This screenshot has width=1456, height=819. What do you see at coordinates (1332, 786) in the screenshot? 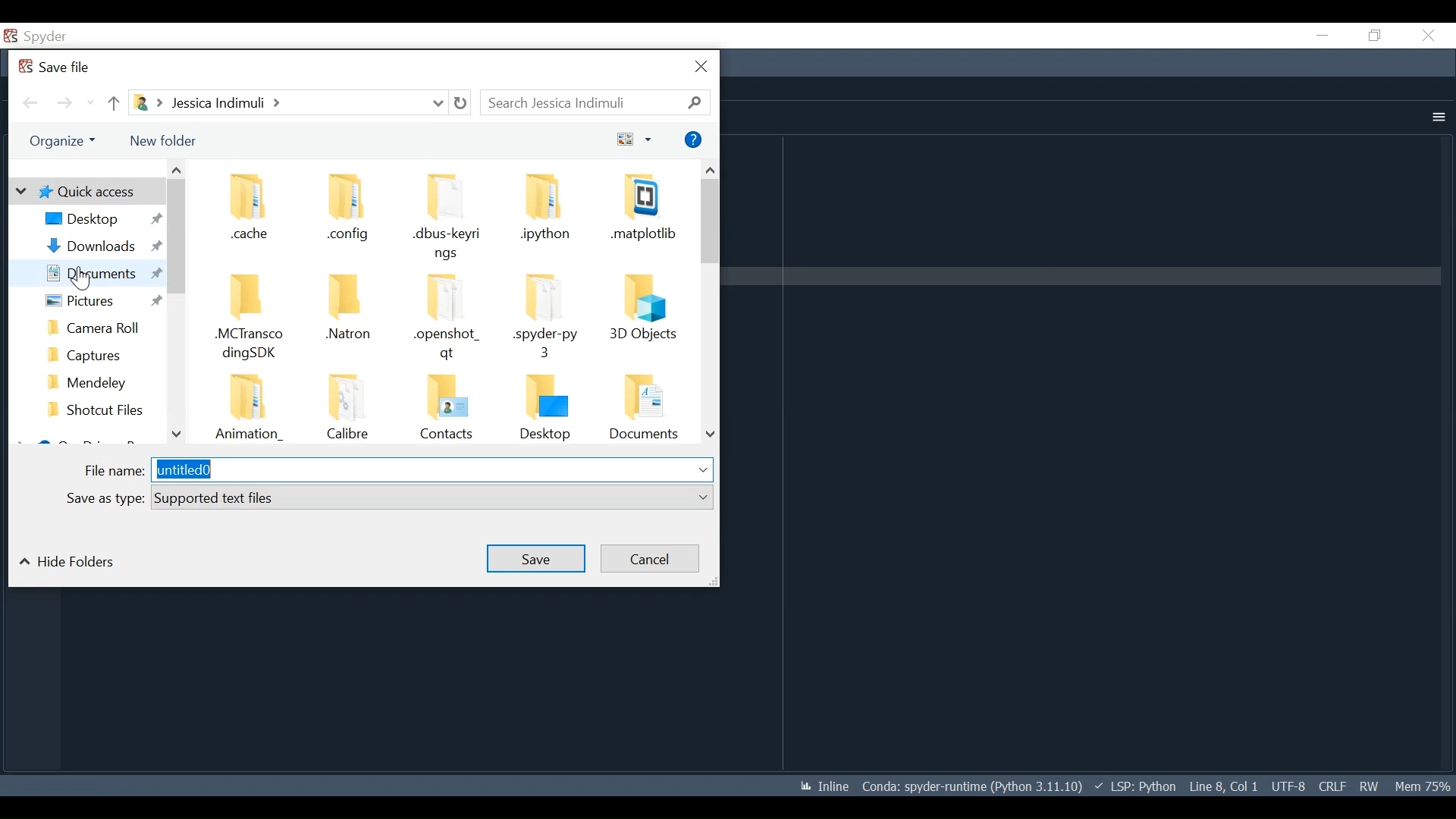
I see `File EQL Status` at bounding box center [1332, 786].